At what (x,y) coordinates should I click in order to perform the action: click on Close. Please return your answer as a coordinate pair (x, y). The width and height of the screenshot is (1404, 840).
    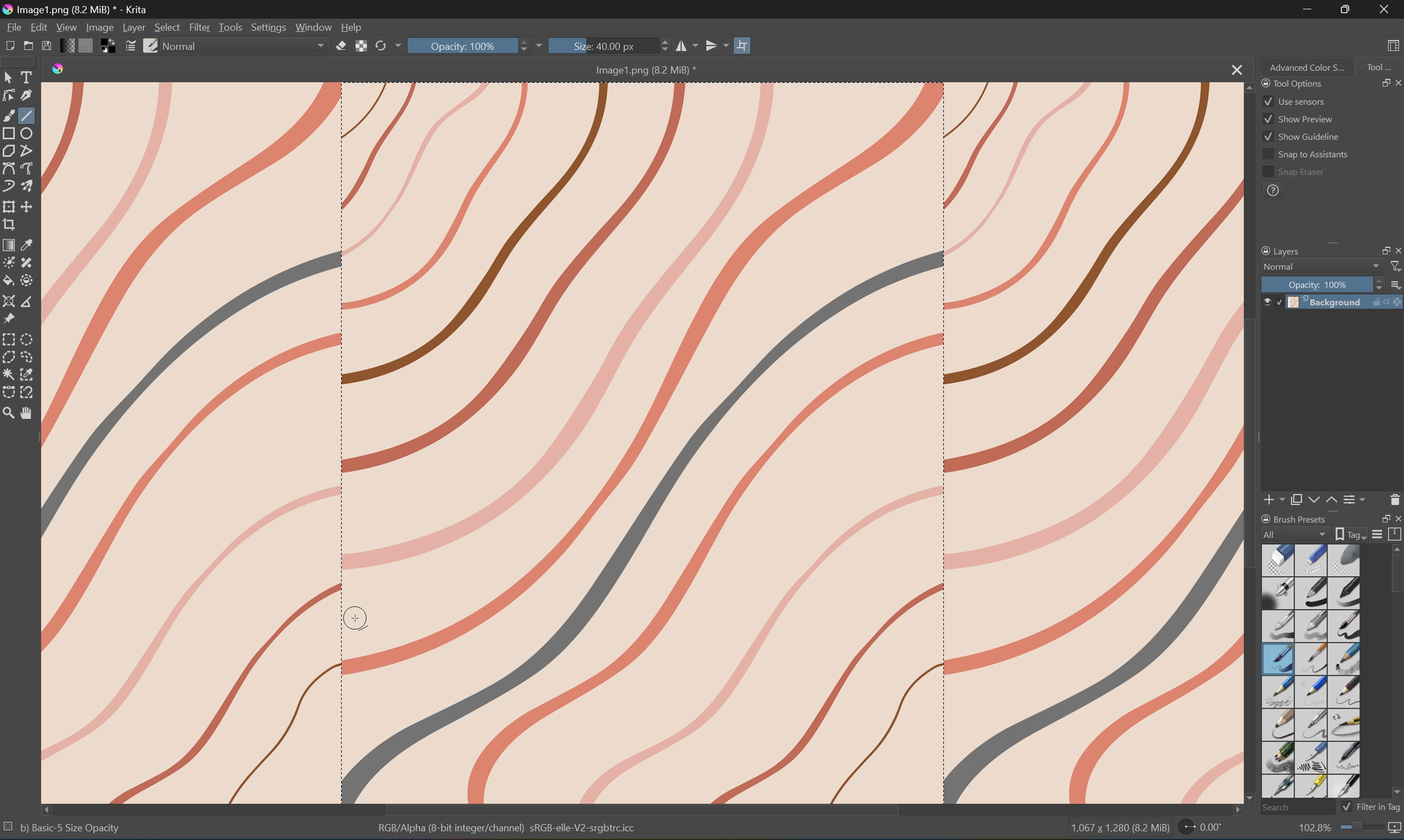
    Looking at the image, I should click on (1395, 83).